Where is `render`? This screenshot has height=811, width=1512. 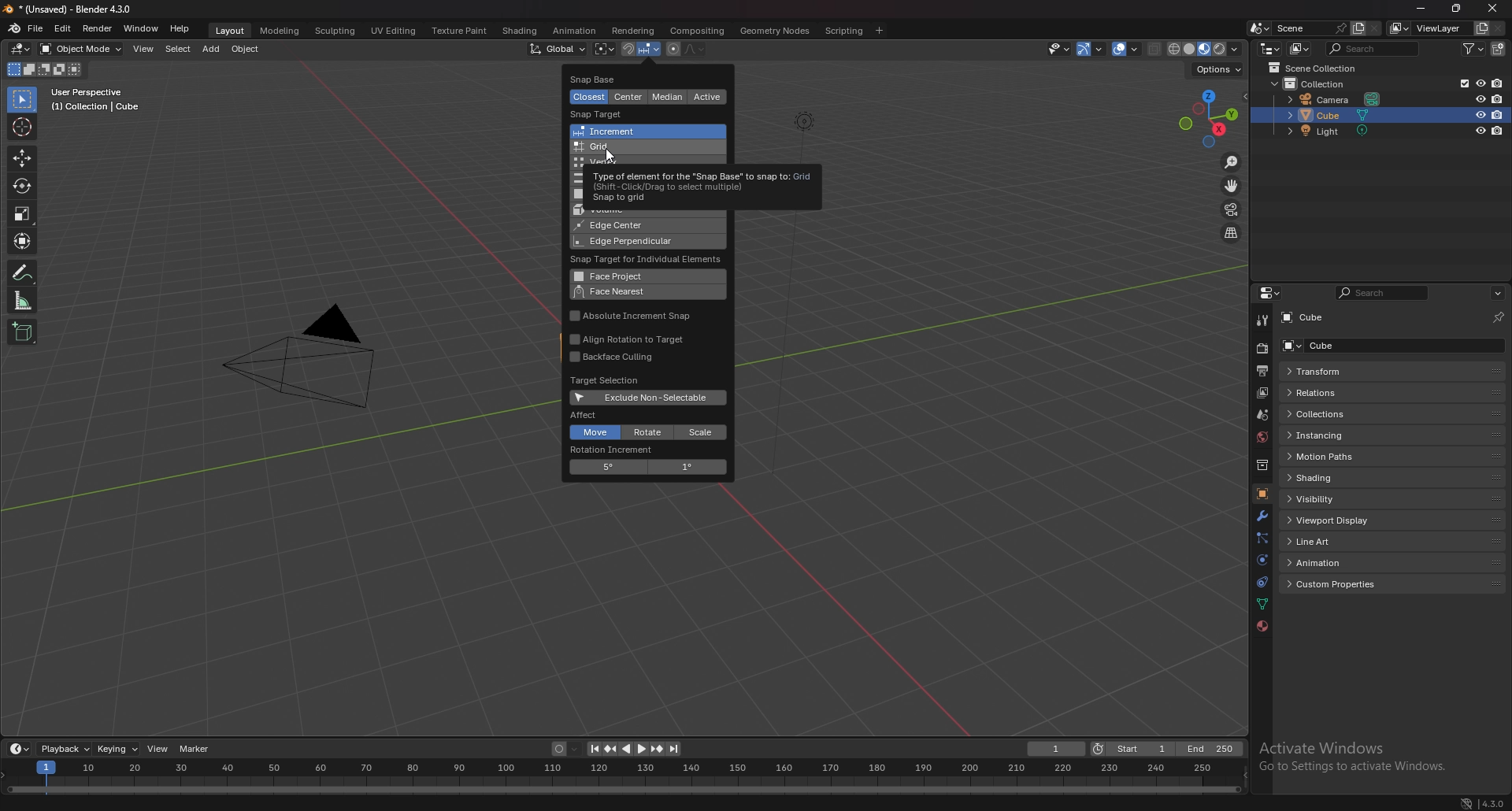 render is located at coordinates (1262, 348).